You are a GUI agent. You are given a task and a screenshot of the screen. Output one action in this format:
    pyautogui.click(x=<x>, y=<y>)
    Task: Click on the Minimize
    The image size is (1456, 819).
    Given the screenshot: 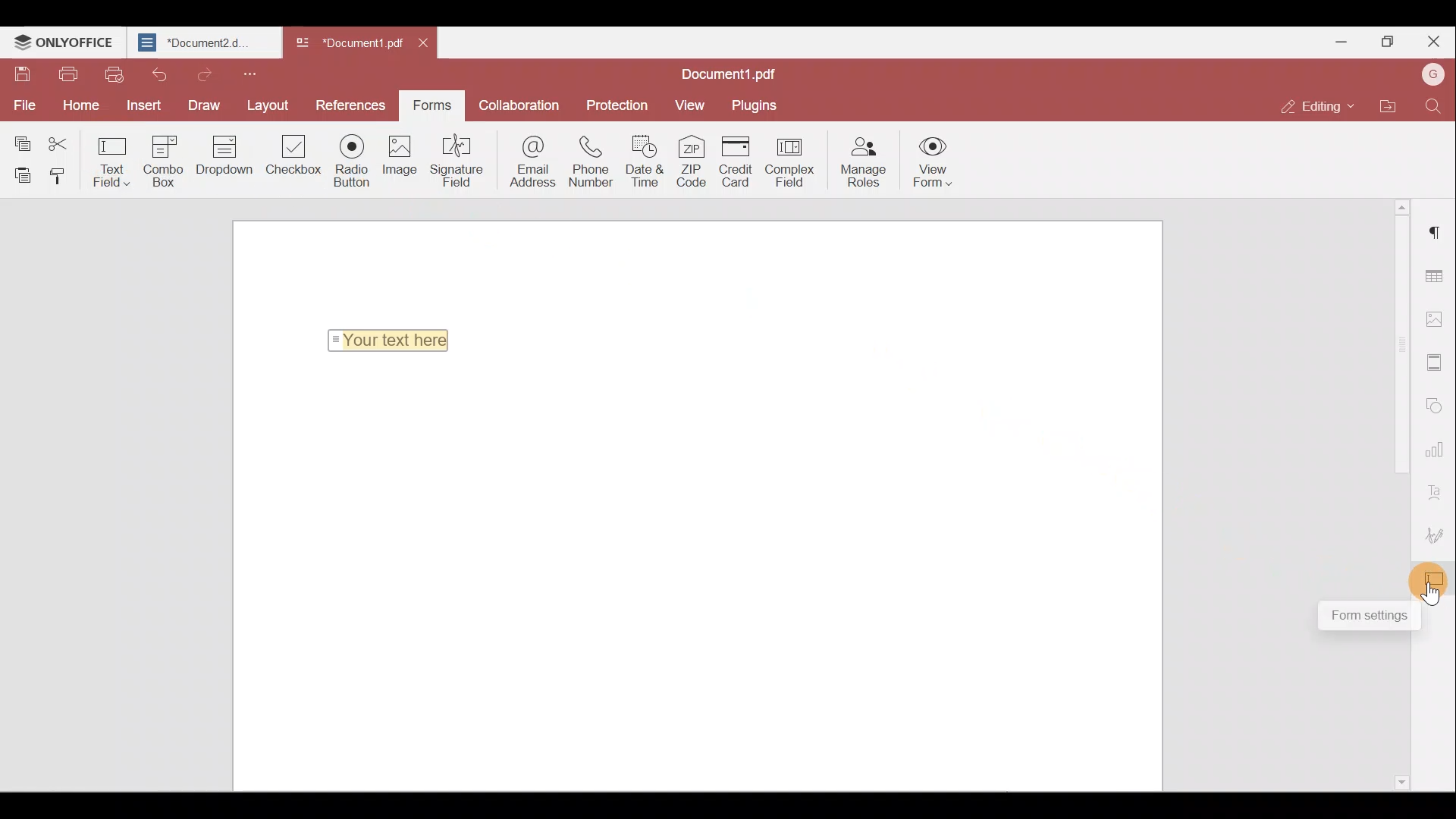 What is the action you would take?
    pyautogui.click(x=1343, y=40)
    